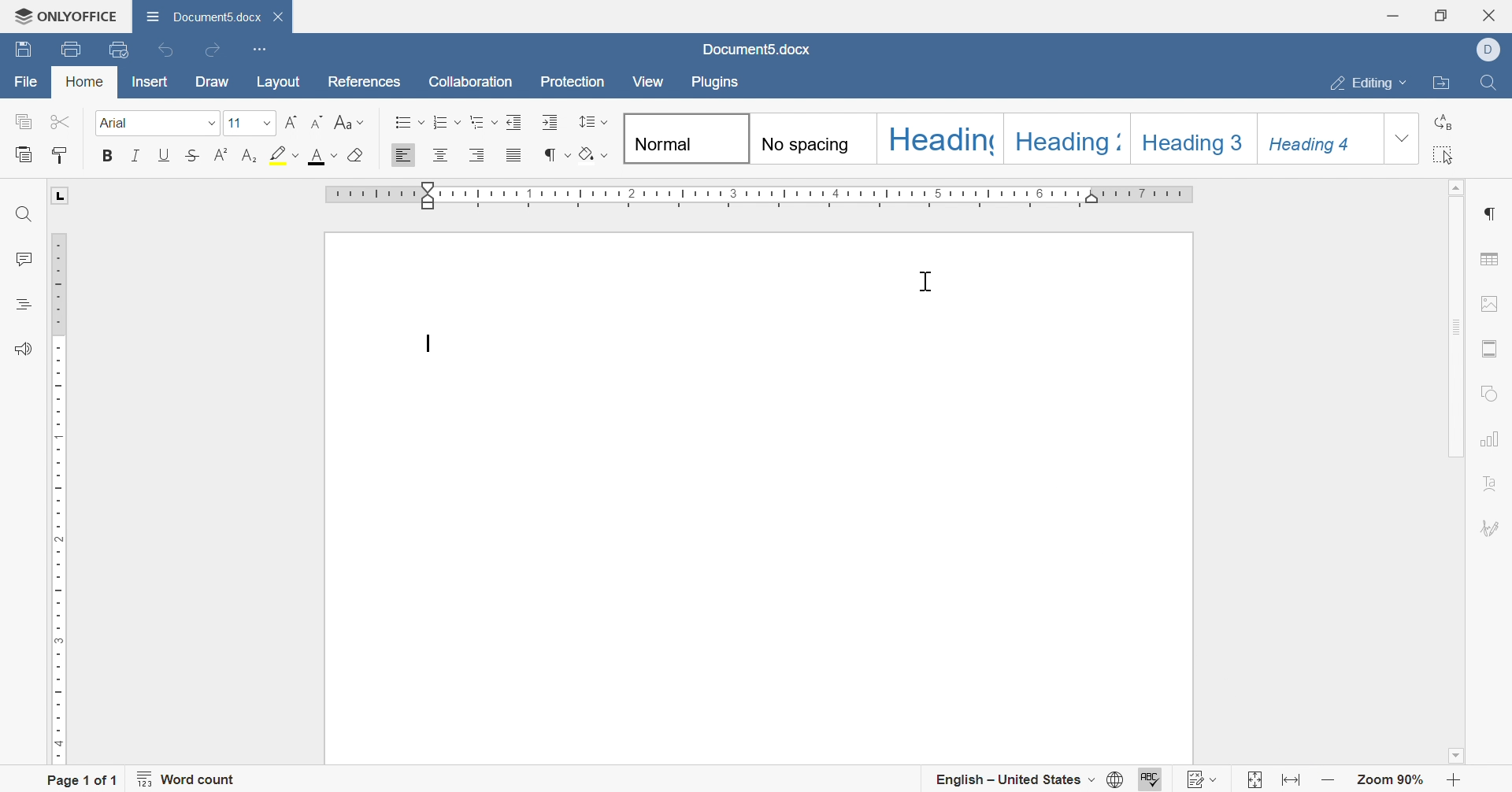  Describe the element at coordinates (1292, 781) in the screenshot. I see `fit to width` at that location.